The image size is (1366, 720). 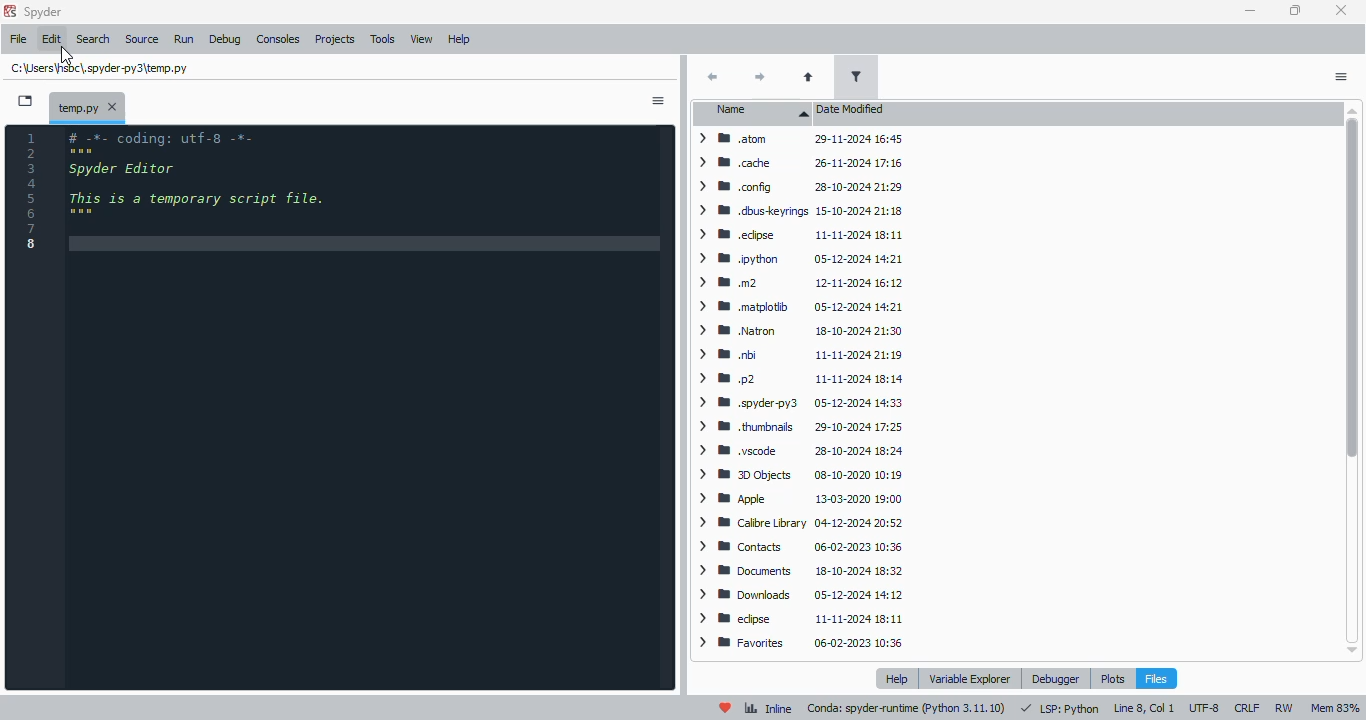 What do you see at coordinates (1340, 10) in the screenshot?
I see `close` at bounding box center [1340, 10].